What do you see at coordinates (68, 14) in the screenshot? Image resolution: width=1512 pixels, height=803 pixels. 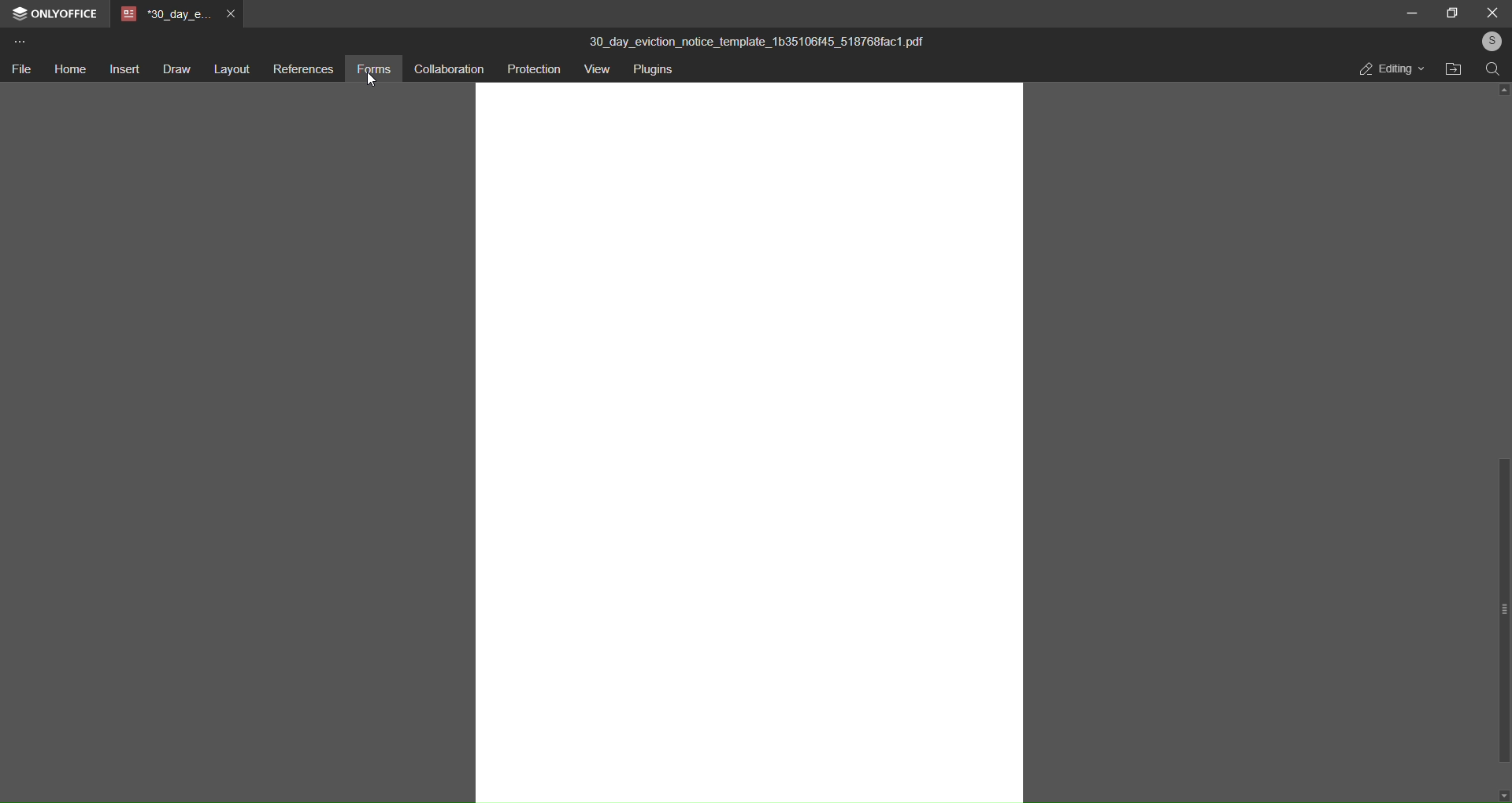 I see `onlyoffice` at bounding box center [68, 14].